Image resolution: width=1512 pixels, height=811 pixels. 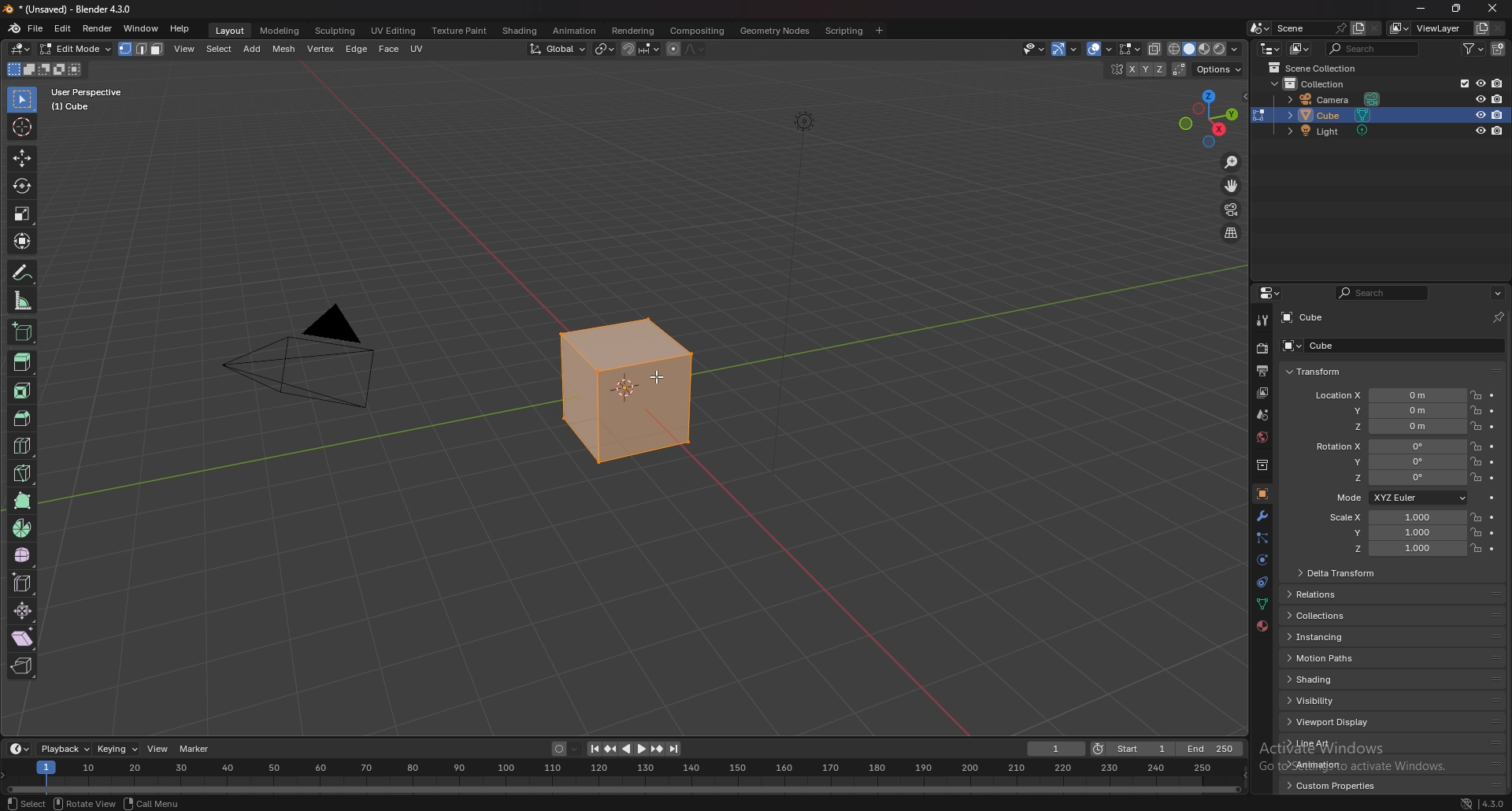 I want to click on location y, so click(x=1389, y=410).